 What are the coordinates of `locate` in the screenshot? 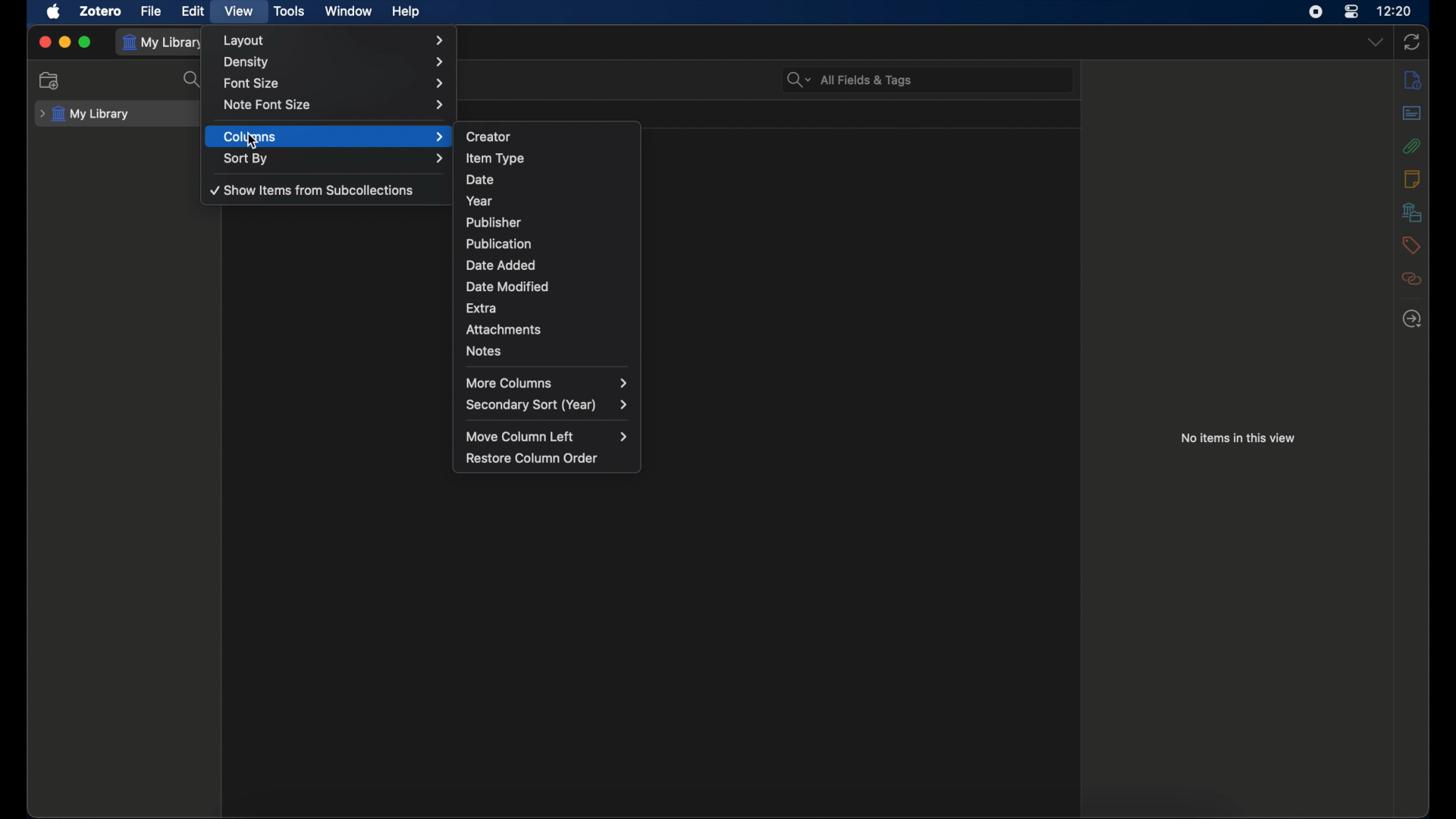 It's located at (1412, 318).